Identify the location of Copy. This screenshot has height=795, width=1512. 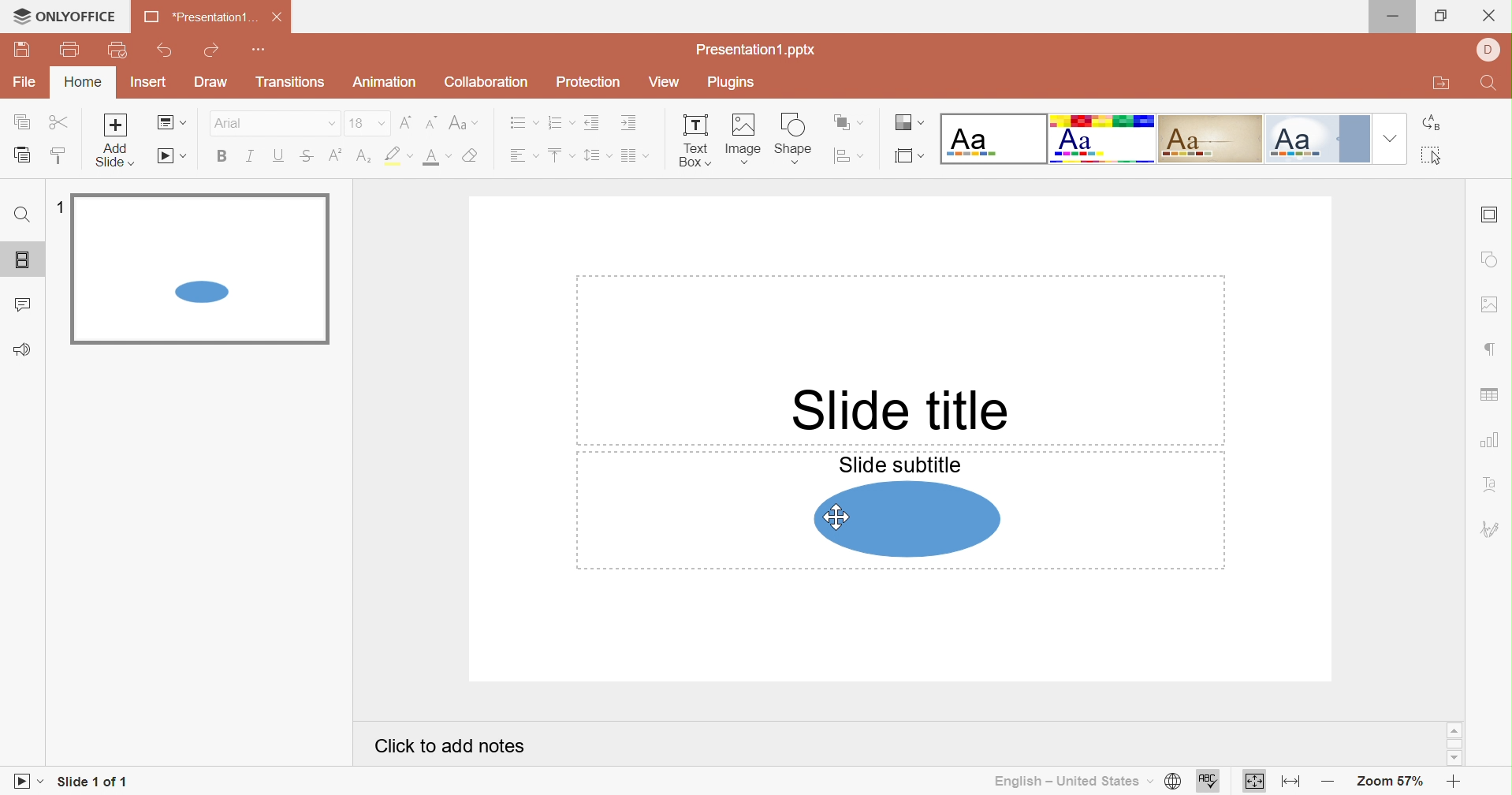
(23, 123).